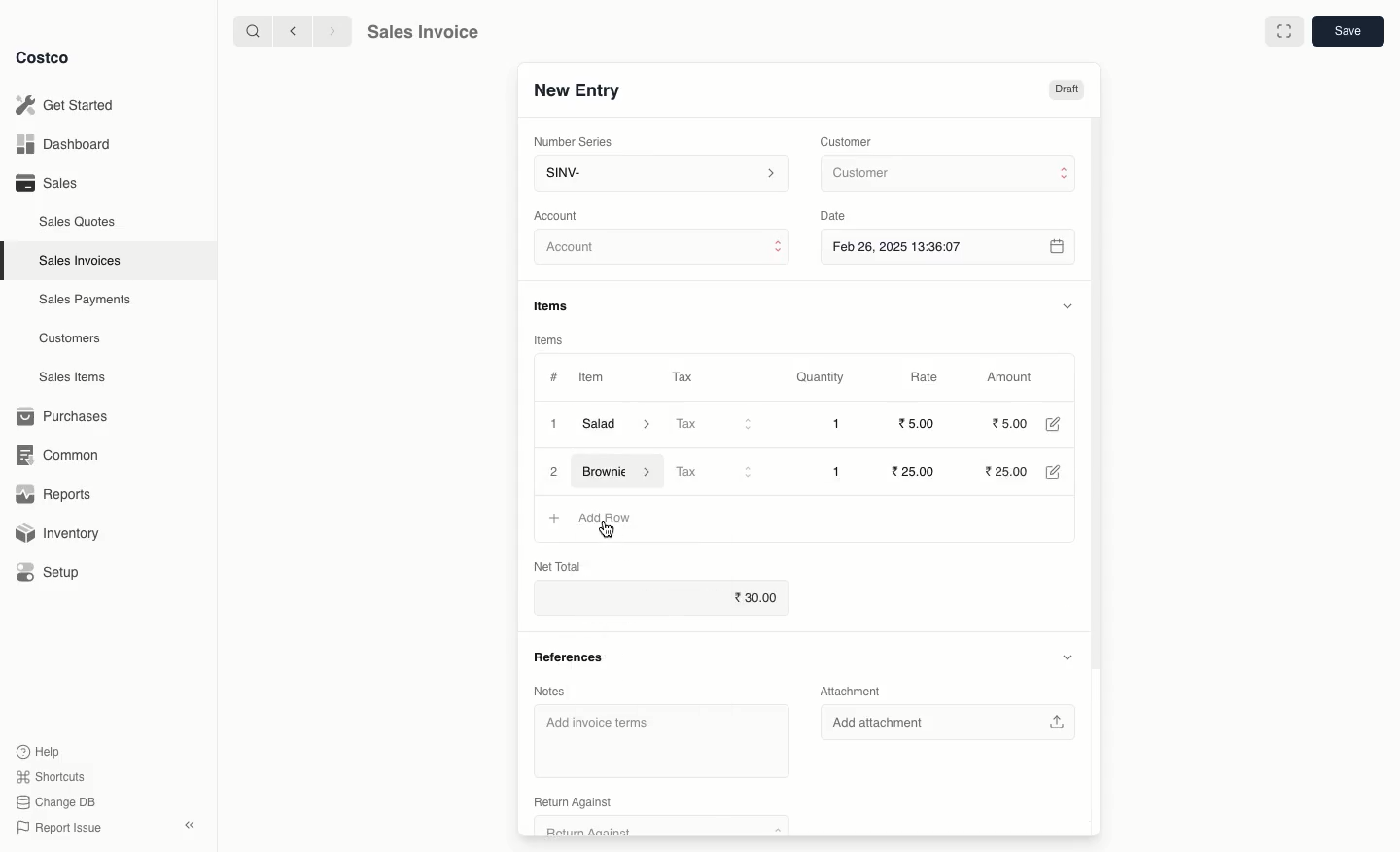 The image size is (1400, 852). What do you see at coordinates (617, 424) in the screenshot?
I see `Salad` at bounding box center [617, 424].